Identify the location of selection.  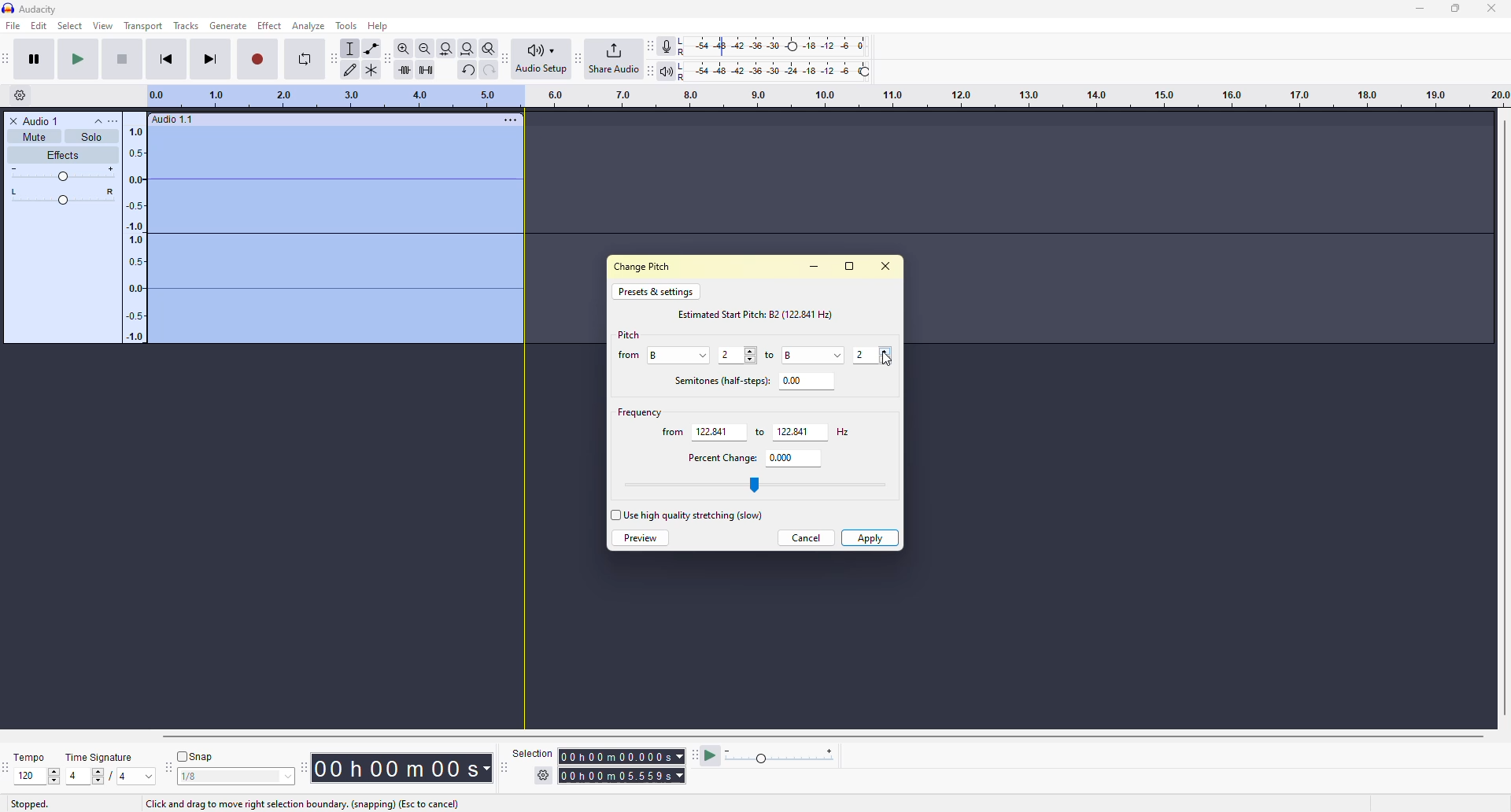
(530, 752).